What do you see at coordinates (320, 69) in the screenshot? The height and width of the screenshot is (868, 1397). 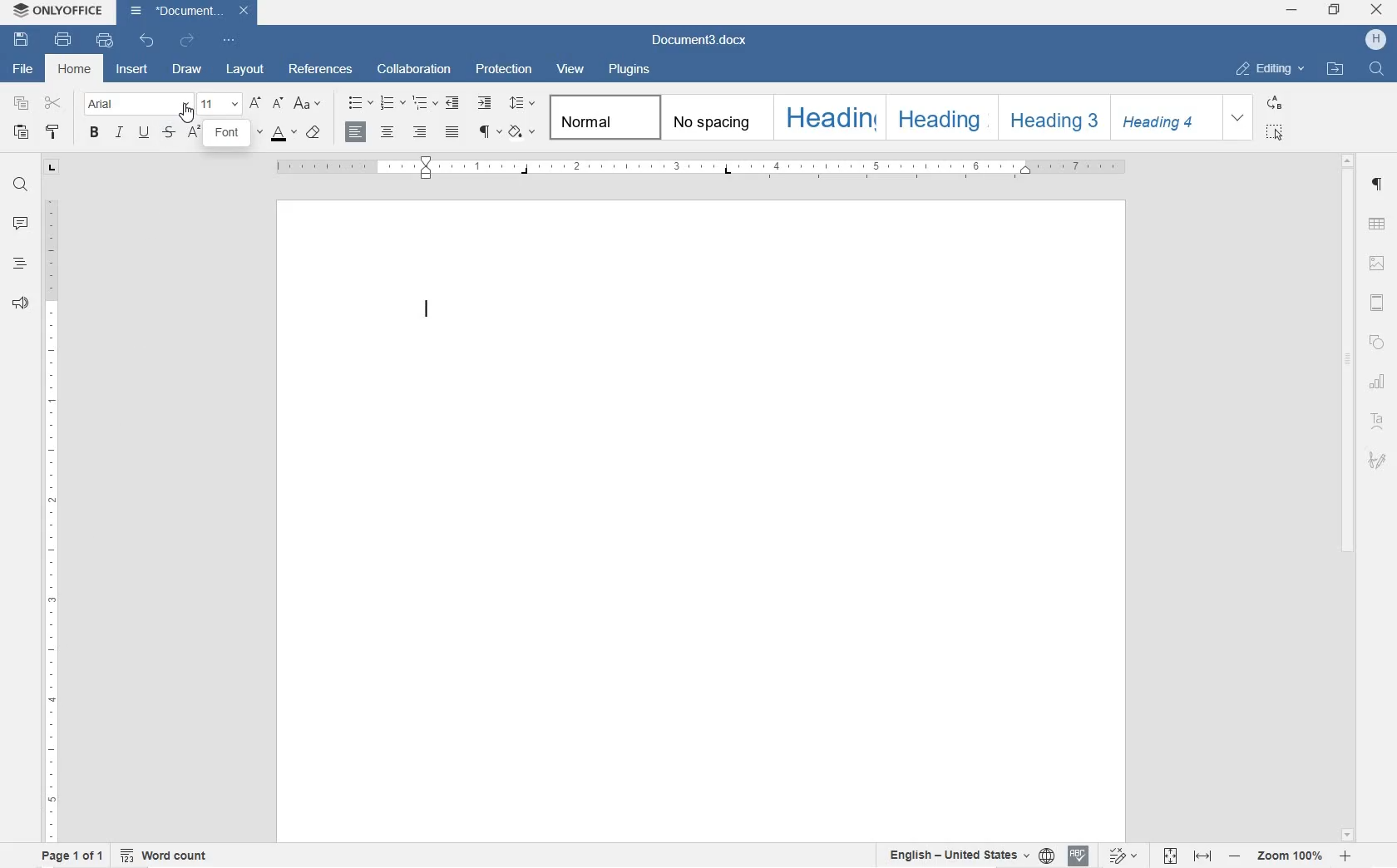 I see `REFERENCES` at bounding box center [320, 69].